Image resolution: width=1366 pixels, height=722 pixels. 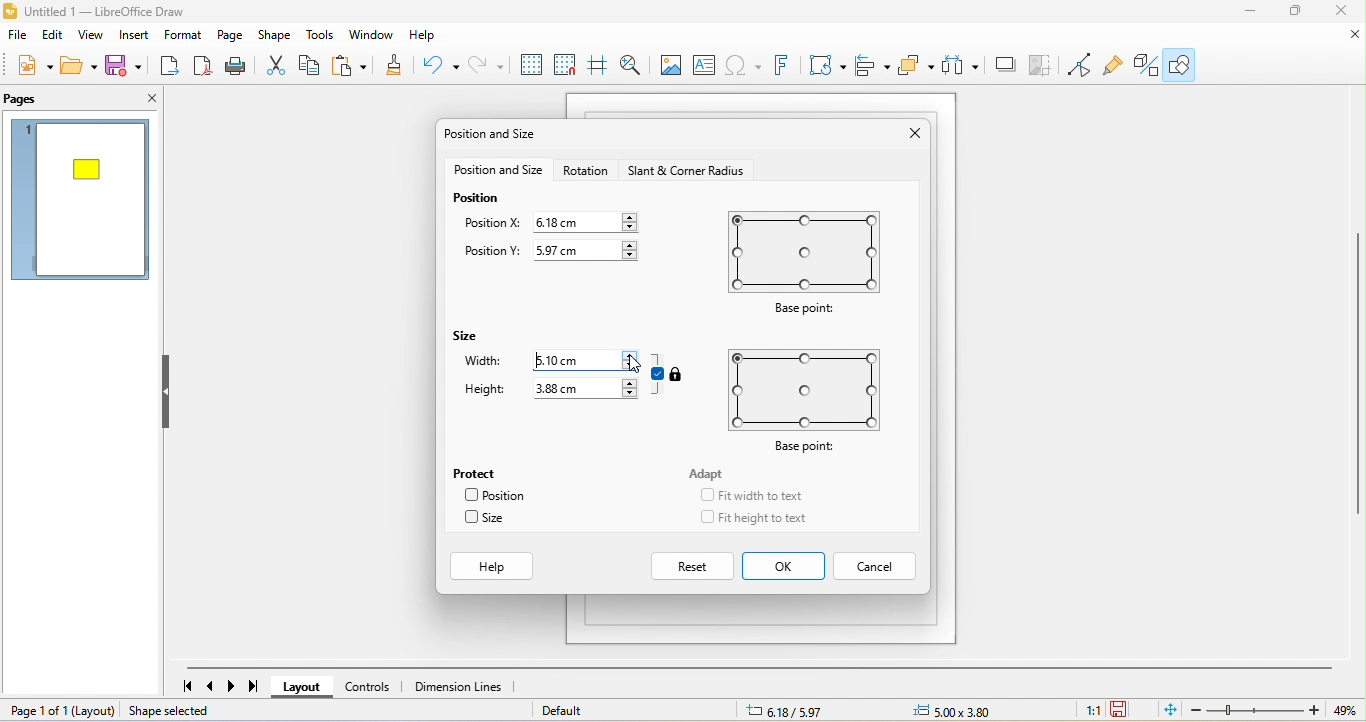 I want to click on zoom, so click(x=1278, y=710).